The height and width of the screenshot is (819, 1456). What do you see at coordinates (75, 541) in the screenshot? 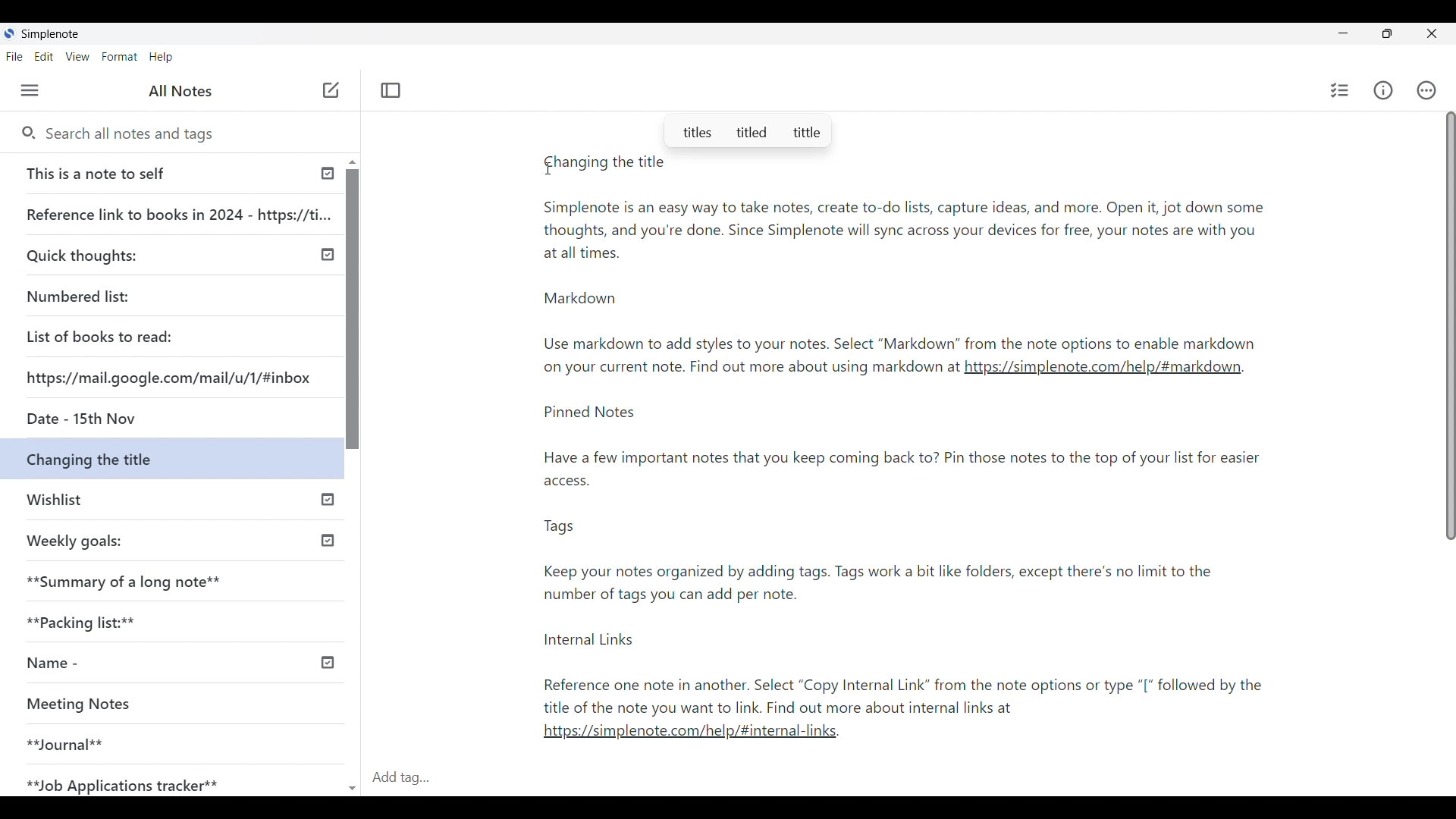
I see `Weekly goals` at bounding box center [75, 541].